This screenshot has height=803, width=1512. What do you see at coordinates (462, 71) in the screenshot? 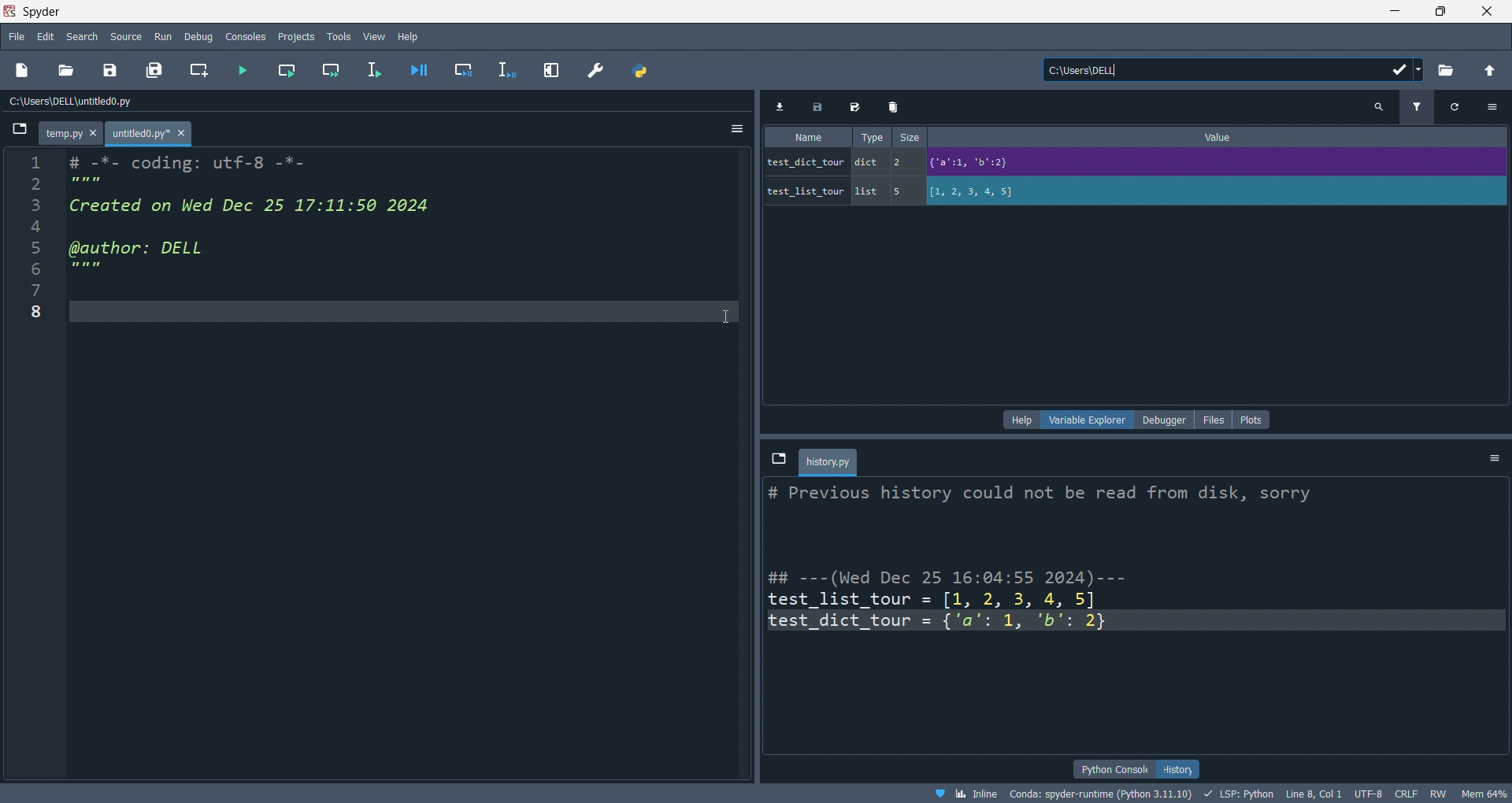
I see `debug cell` at bounding box center [462, 71].